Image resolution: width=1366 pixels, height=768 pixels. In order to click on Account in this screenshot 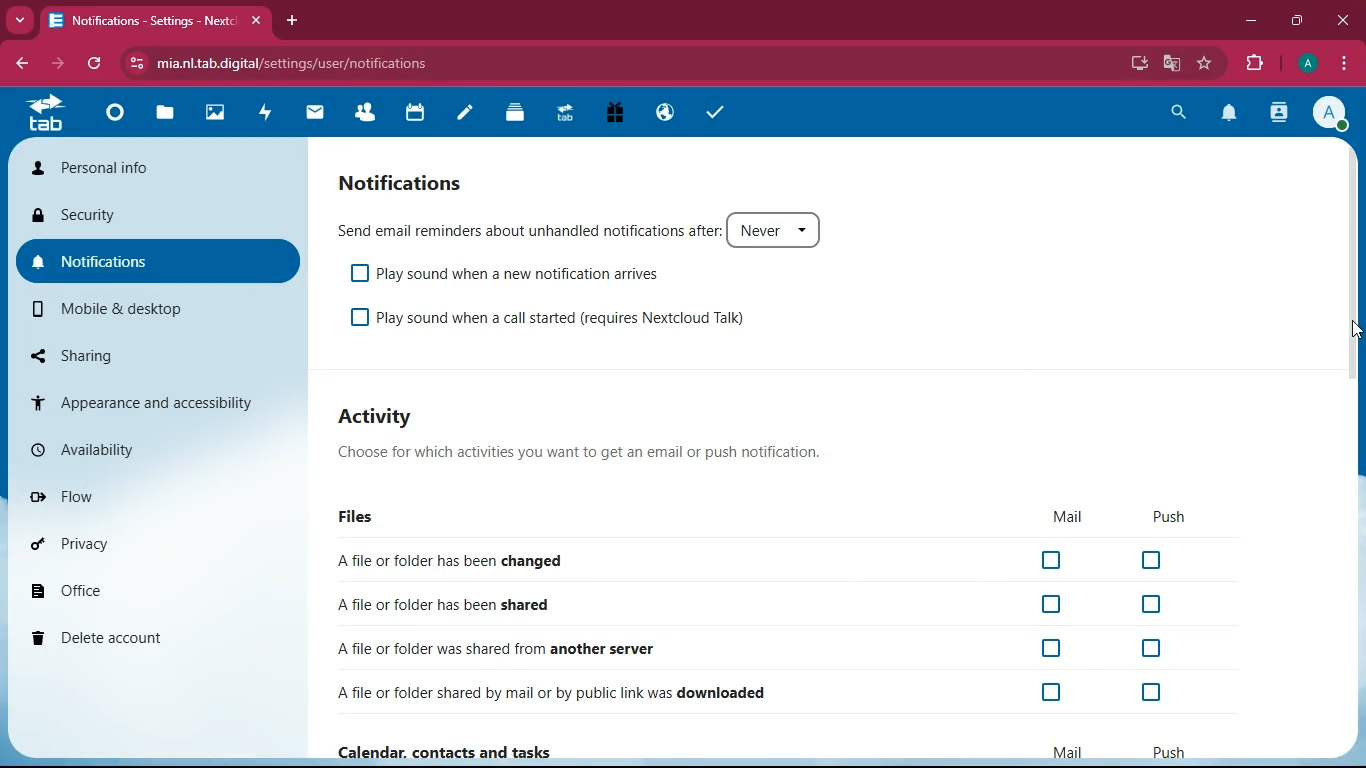, I will do `click(1330, 112)`.